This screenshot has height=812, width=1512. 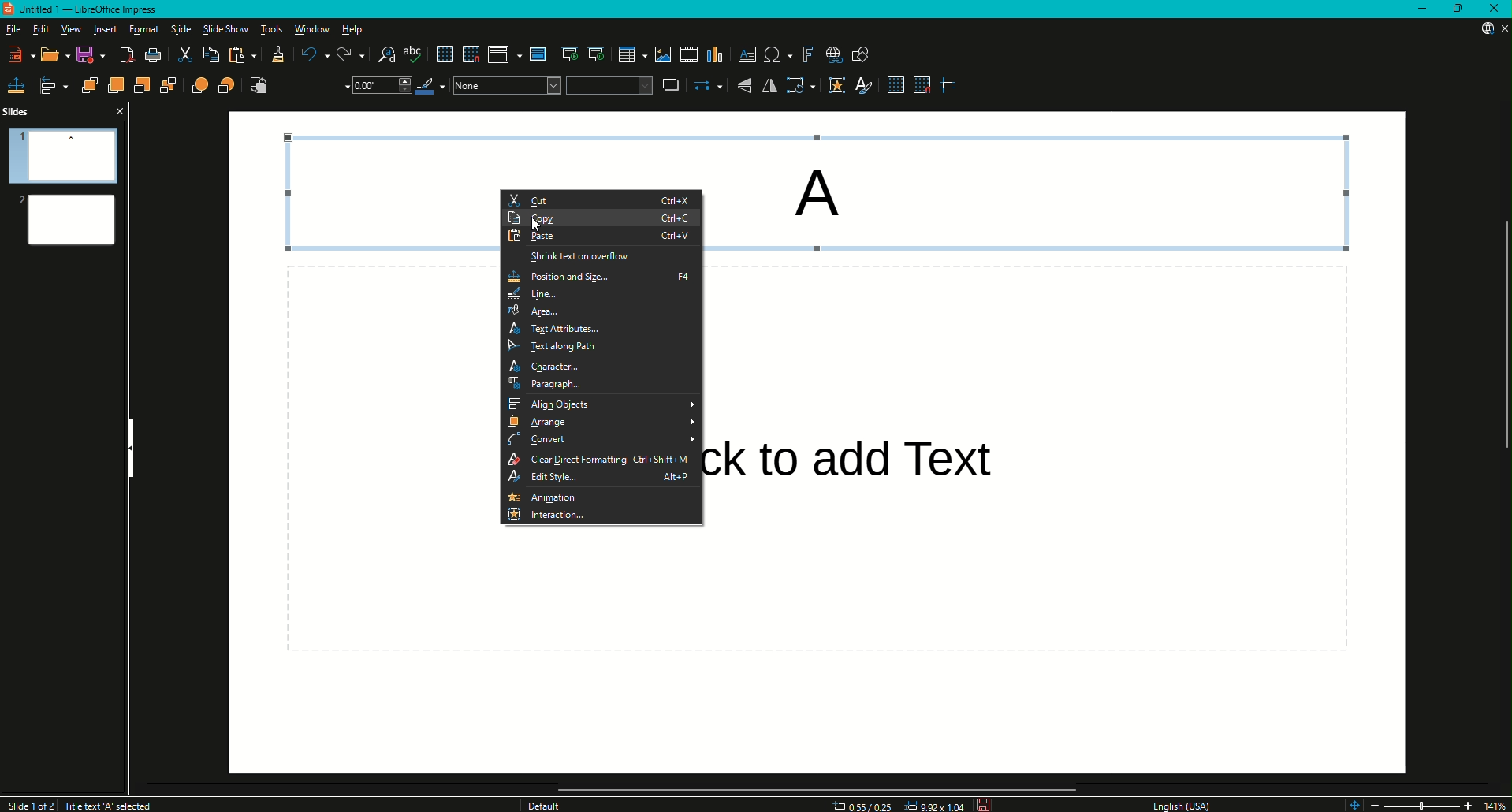 I want to click on Paste, so click(x=240, y=57).